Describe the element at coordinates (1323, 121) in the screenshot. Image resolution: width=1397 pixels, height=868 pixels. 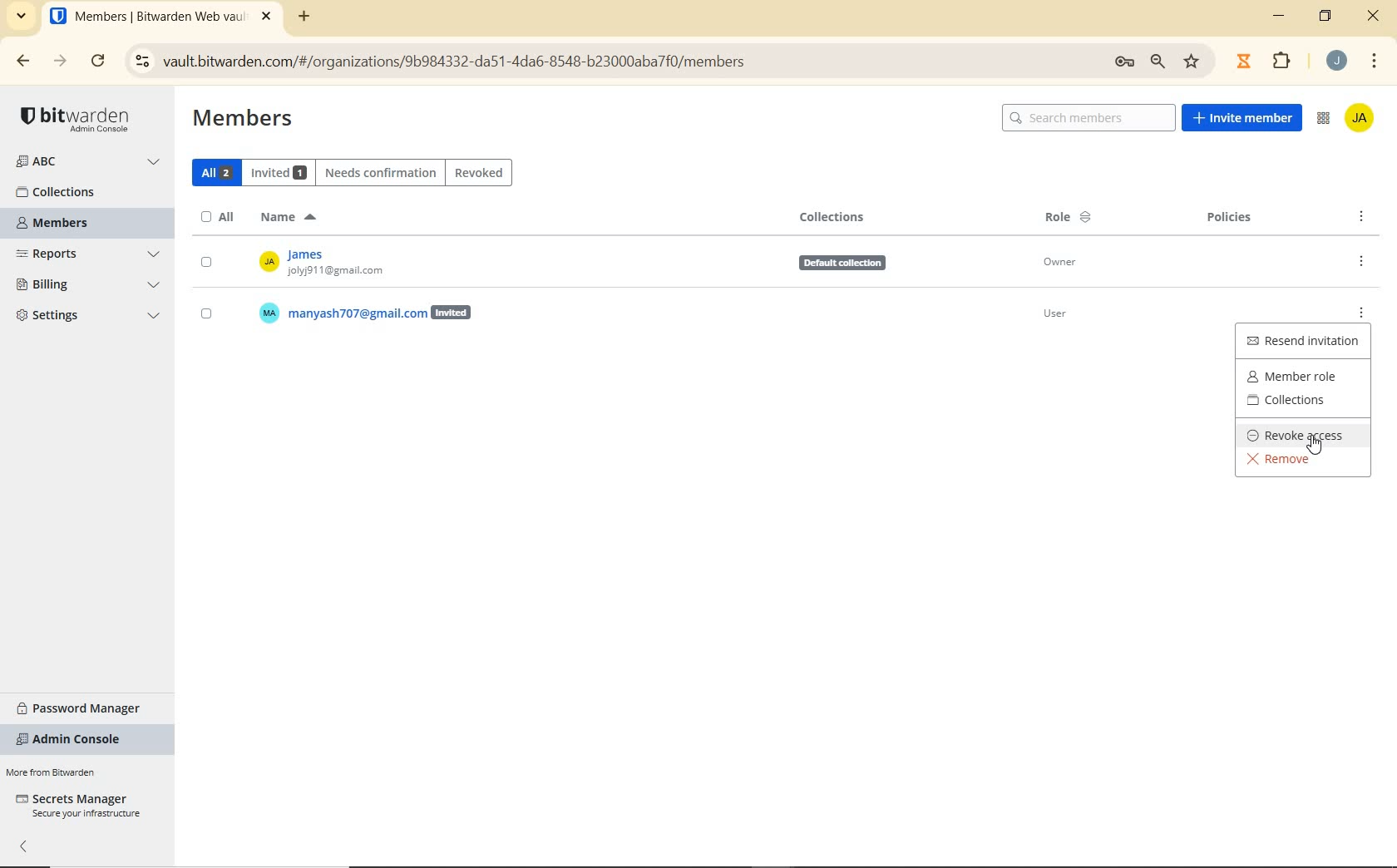
I see `ADMIN CONSOLE` at that location.